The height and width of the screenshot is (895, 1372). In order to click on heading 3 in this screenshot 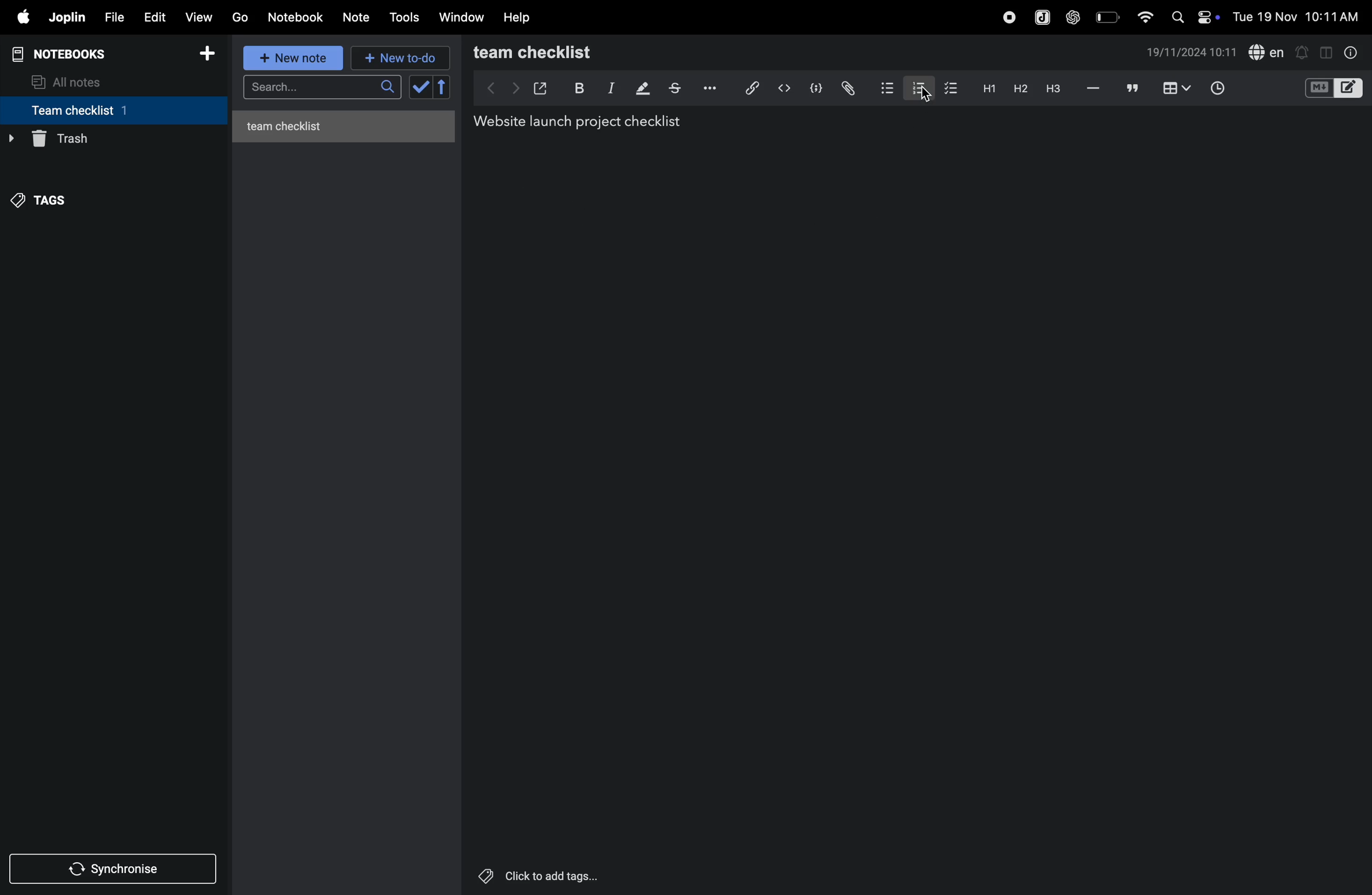, I will do `click(1053, 88)`.